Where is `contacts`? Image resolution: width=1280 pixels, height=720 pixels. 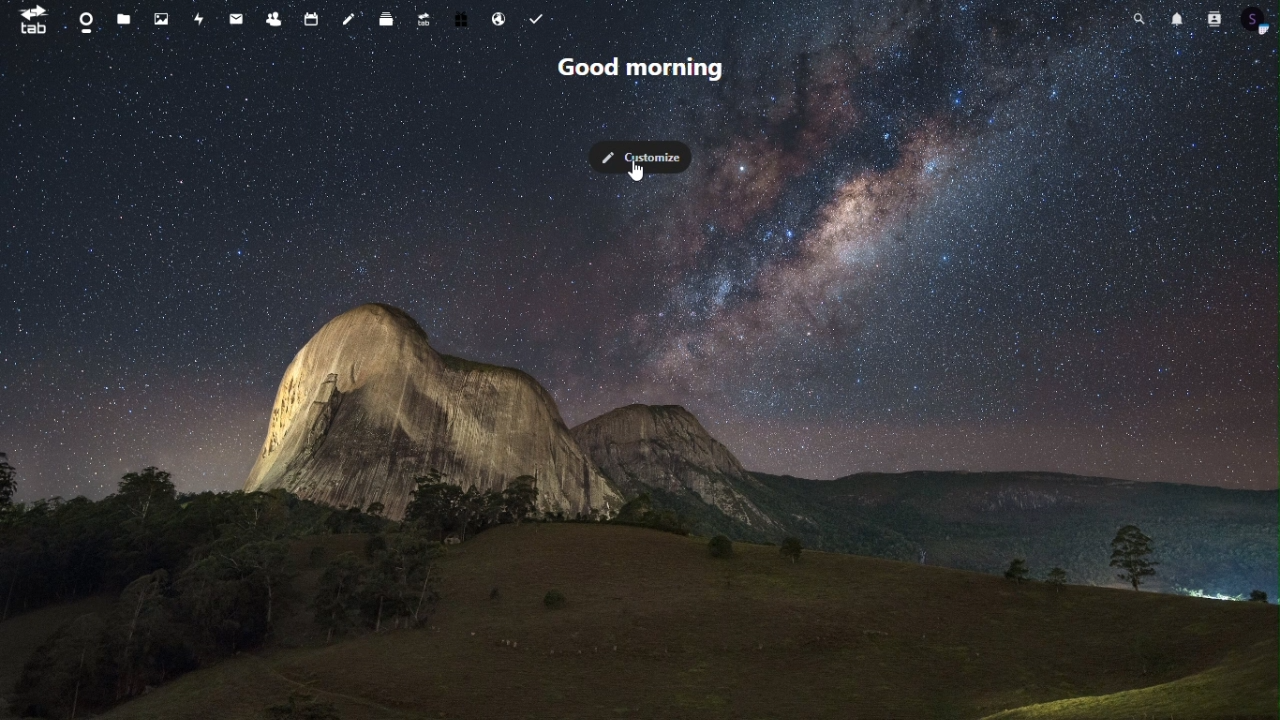 contacts is located at coordinates (1210, 18).